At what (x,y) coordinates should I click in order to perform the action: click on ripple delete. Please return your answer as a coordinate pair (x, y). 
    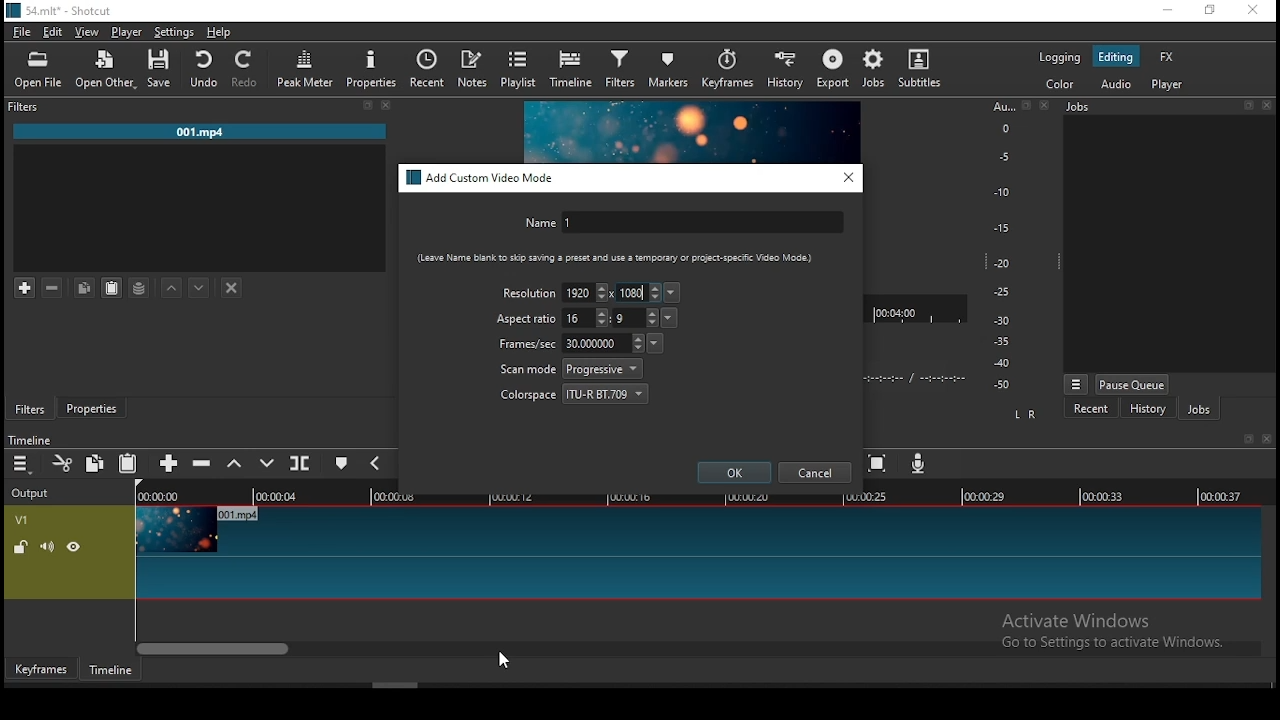
    Looking at the image, I should click on (201, 462).